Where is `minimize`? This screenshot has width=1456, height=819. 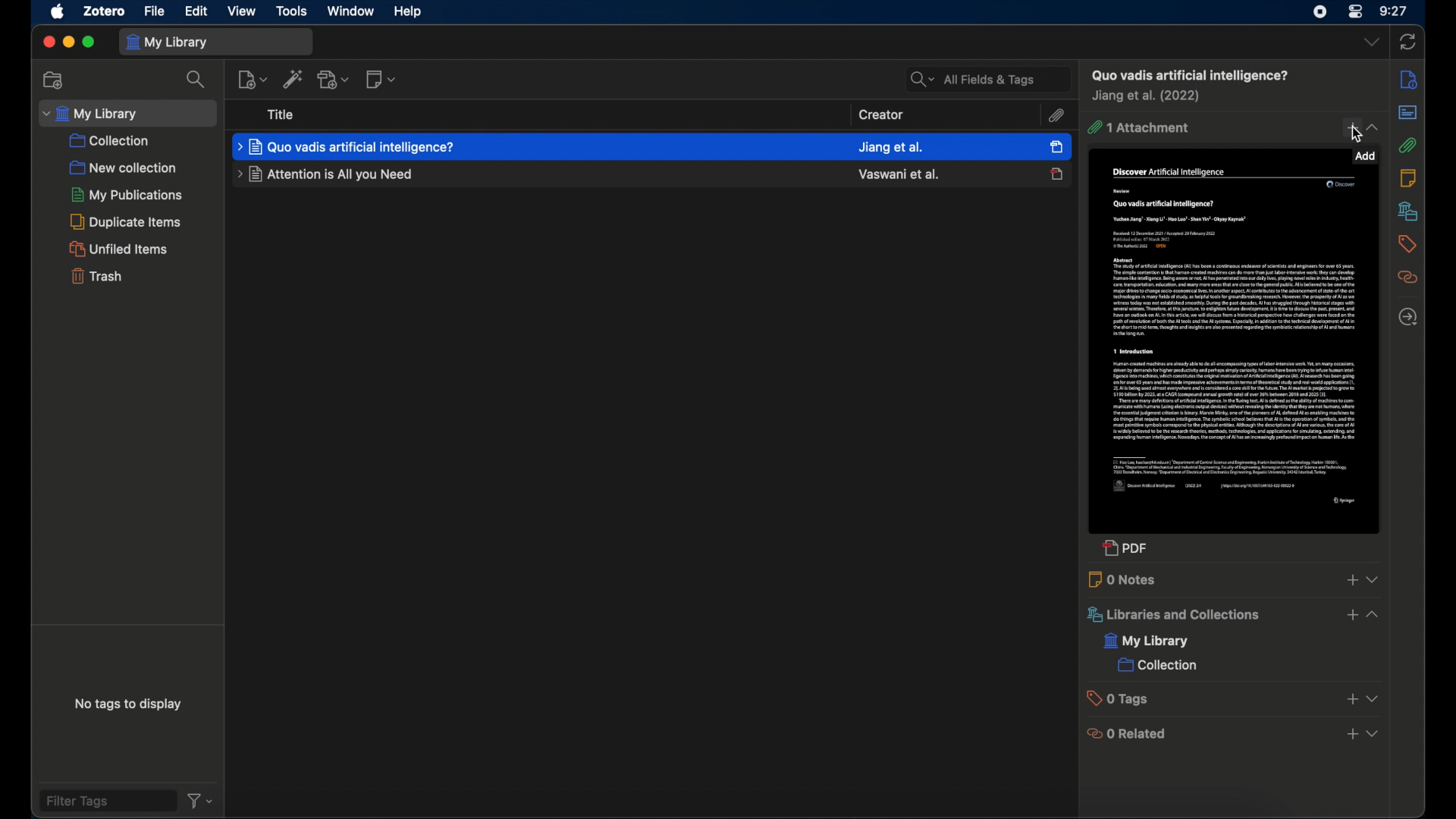 minimize is located at coordinates (69, 42).